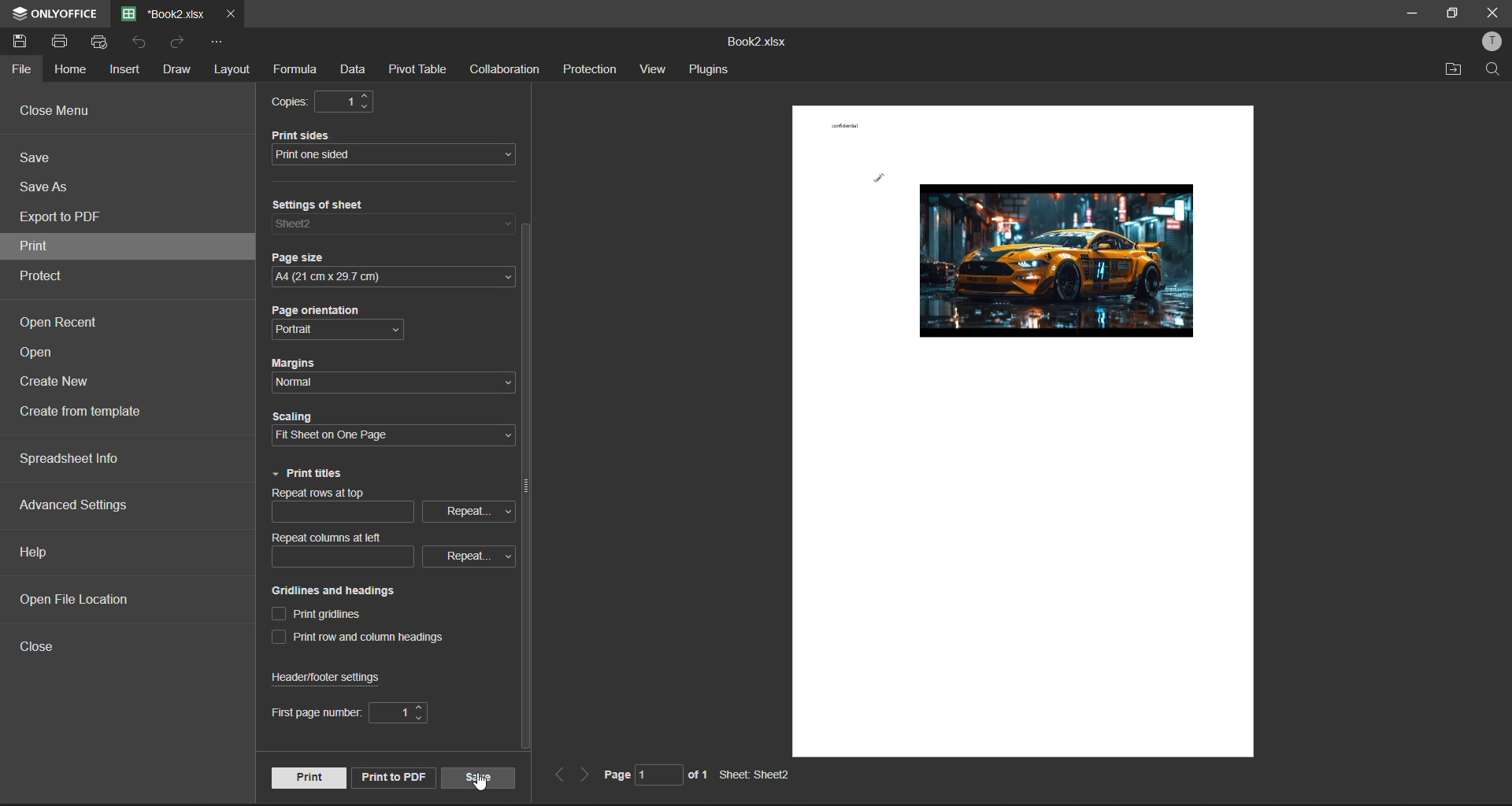 Image resolution: width=1512 pixels, height=806 pixels. What do you see at coordinates (1493, 12) in the screenshot?
I see `close` at bounding box center [1493, 12].